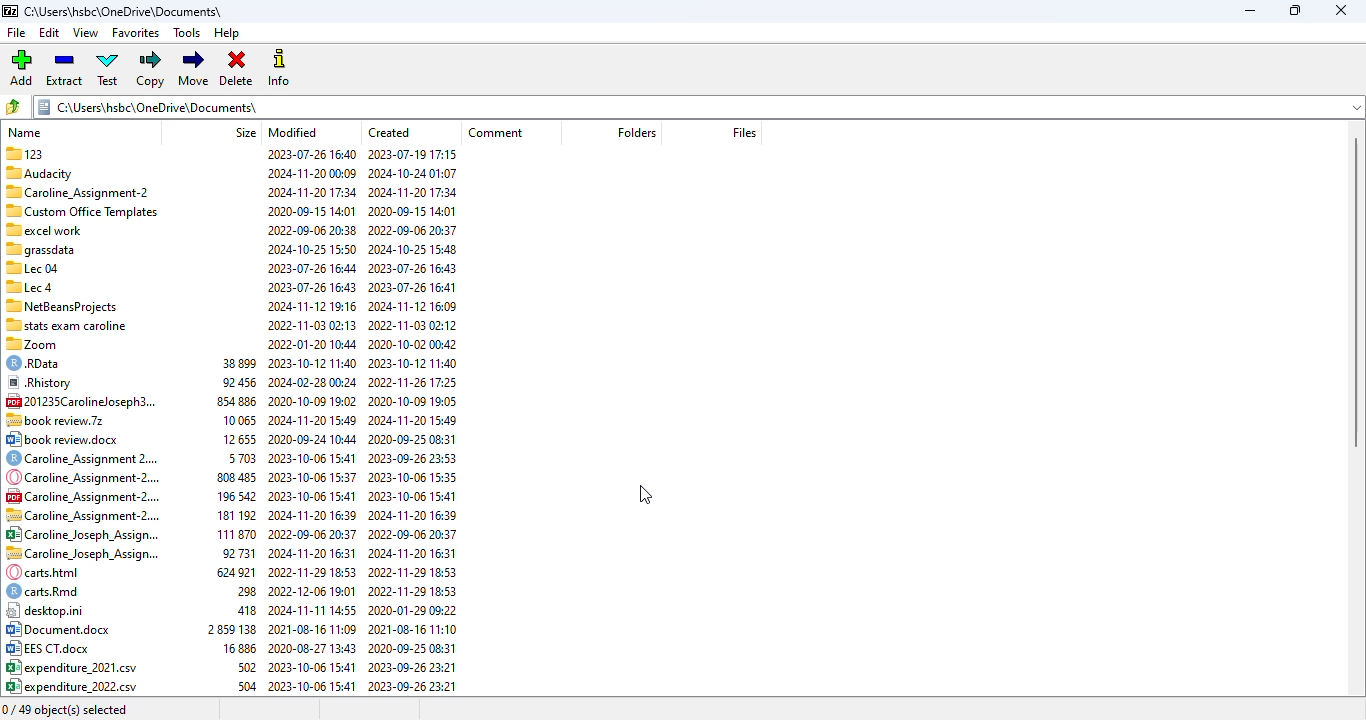 Image resolution: width=1366 pixels, height=720 pixels. I want to click on created date & time, so click(413, 421).